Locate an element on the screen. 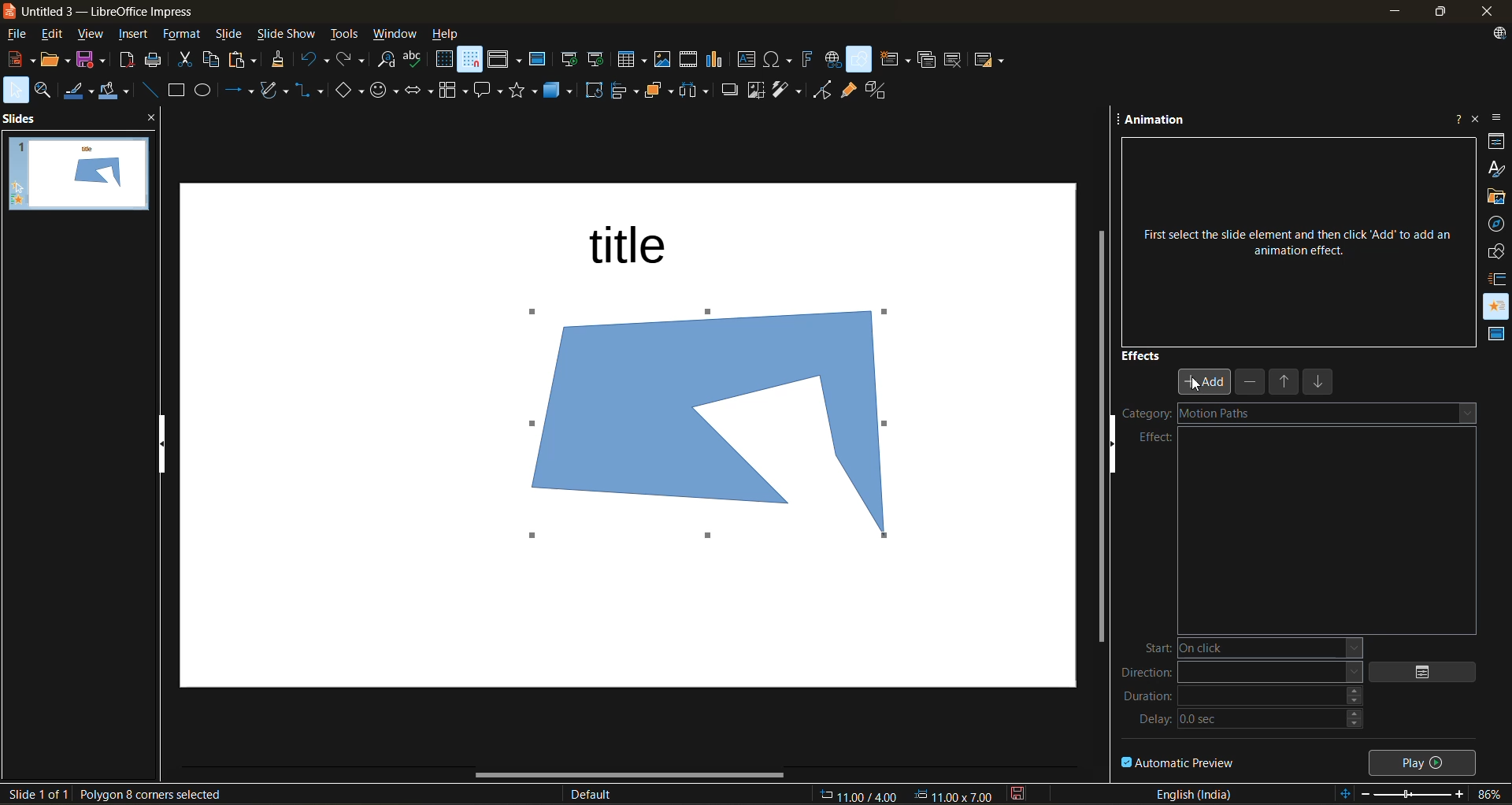  align objects is located at coordinates (623, 91).